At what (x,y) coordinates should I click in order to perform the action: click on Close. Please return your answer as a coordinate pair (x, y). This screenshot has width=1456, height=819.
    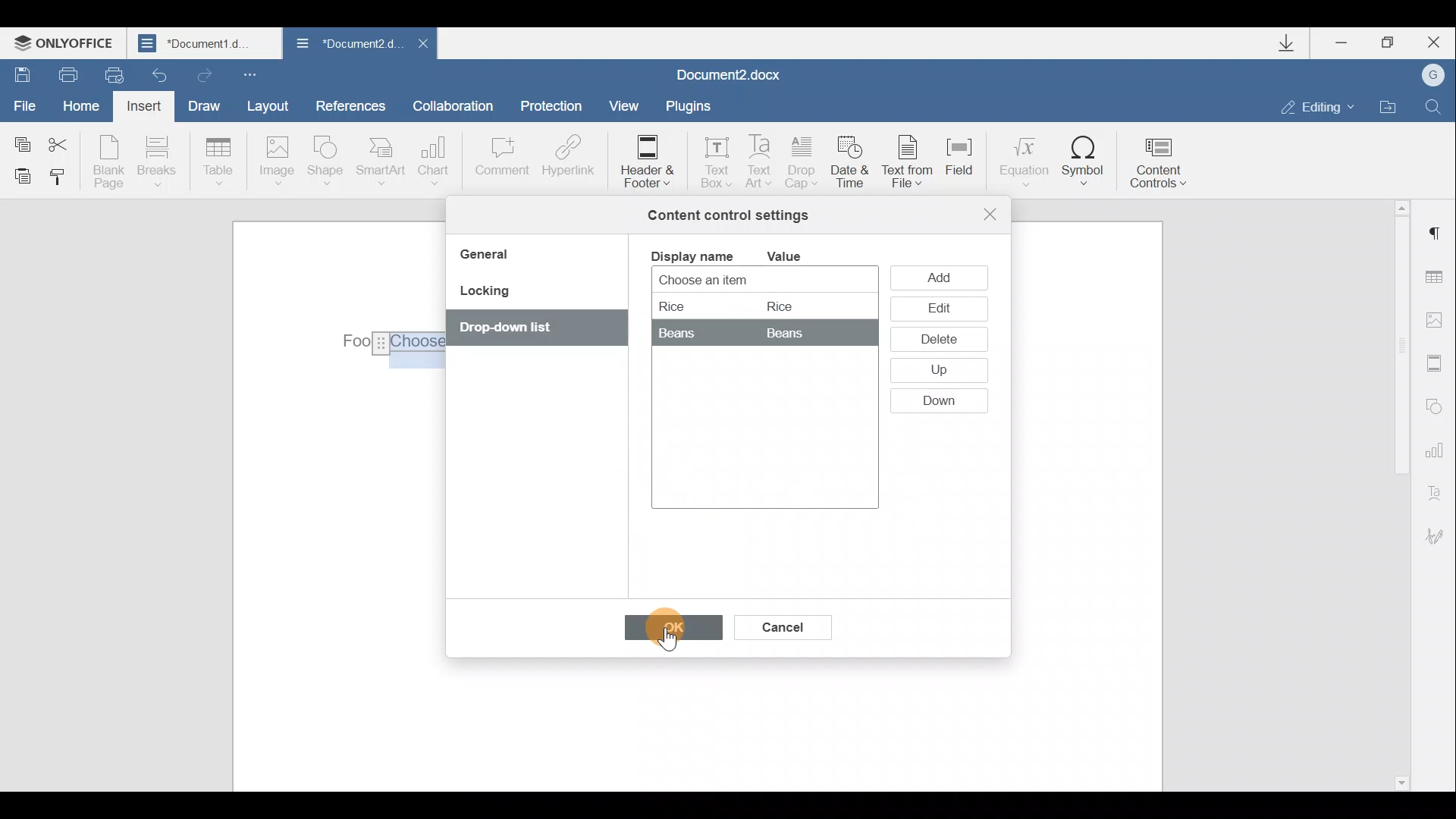
    Looking at the image, I should click on (422, 48).